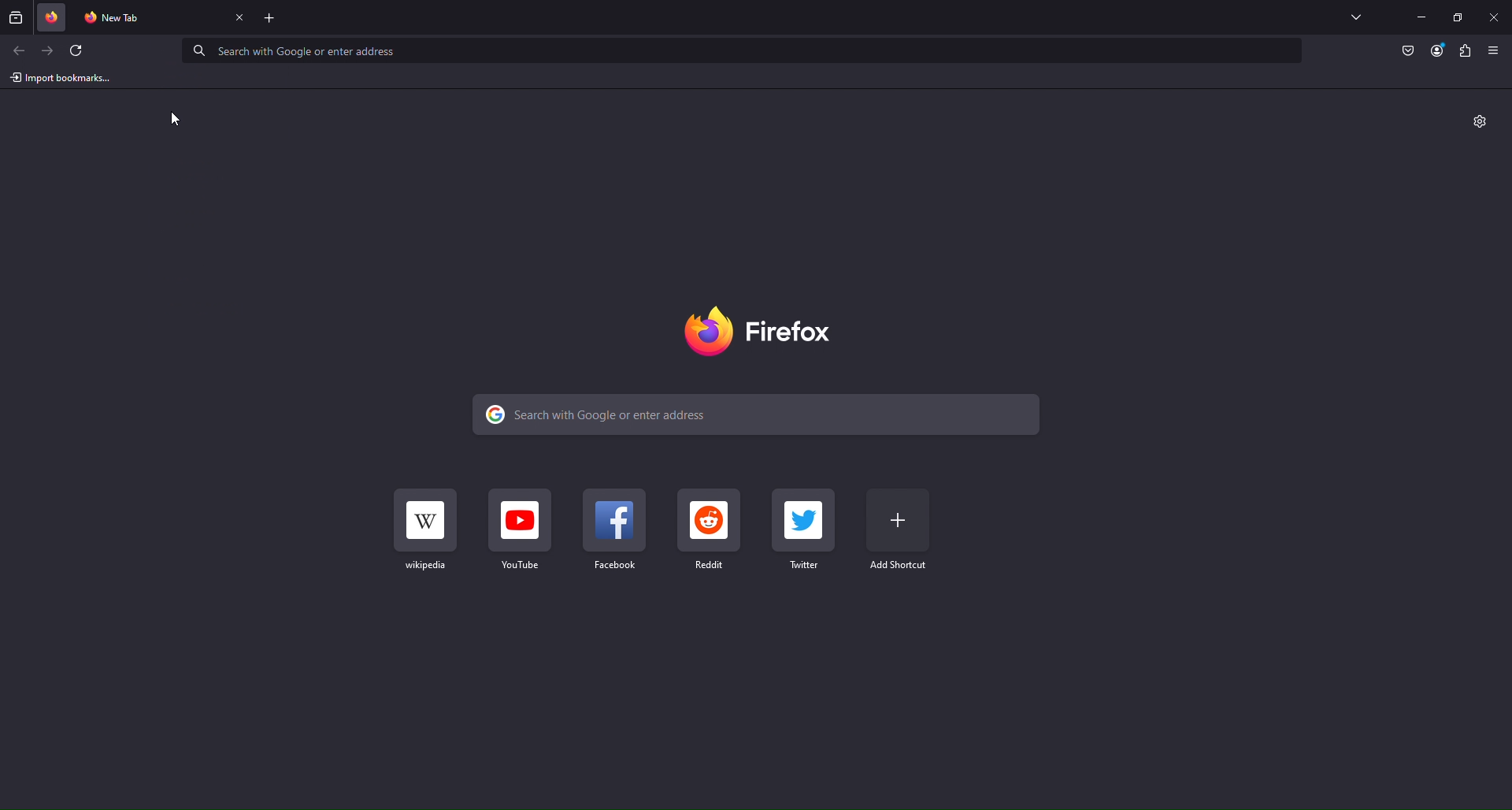 The width and height of the screenshot is (1512, 810). What do you see at coordinates (271, 18) in the screenshot?
I see `Add New Tab` at bounding box center [271, 18].